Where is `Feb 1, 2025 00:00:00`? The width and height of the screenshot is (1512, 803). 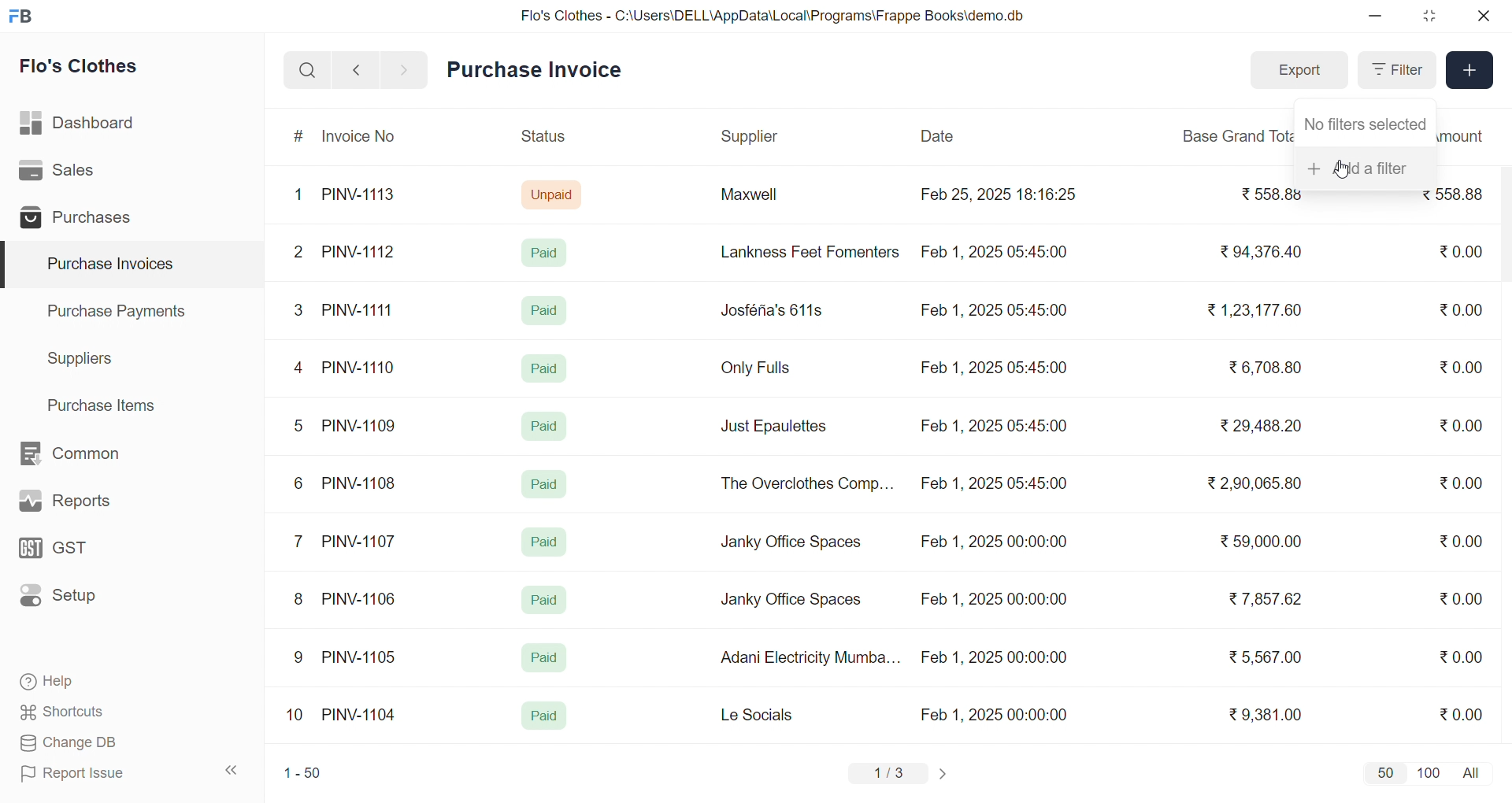
Feb 1, 2025 00:00:00 is located at coordinates (994, 657).